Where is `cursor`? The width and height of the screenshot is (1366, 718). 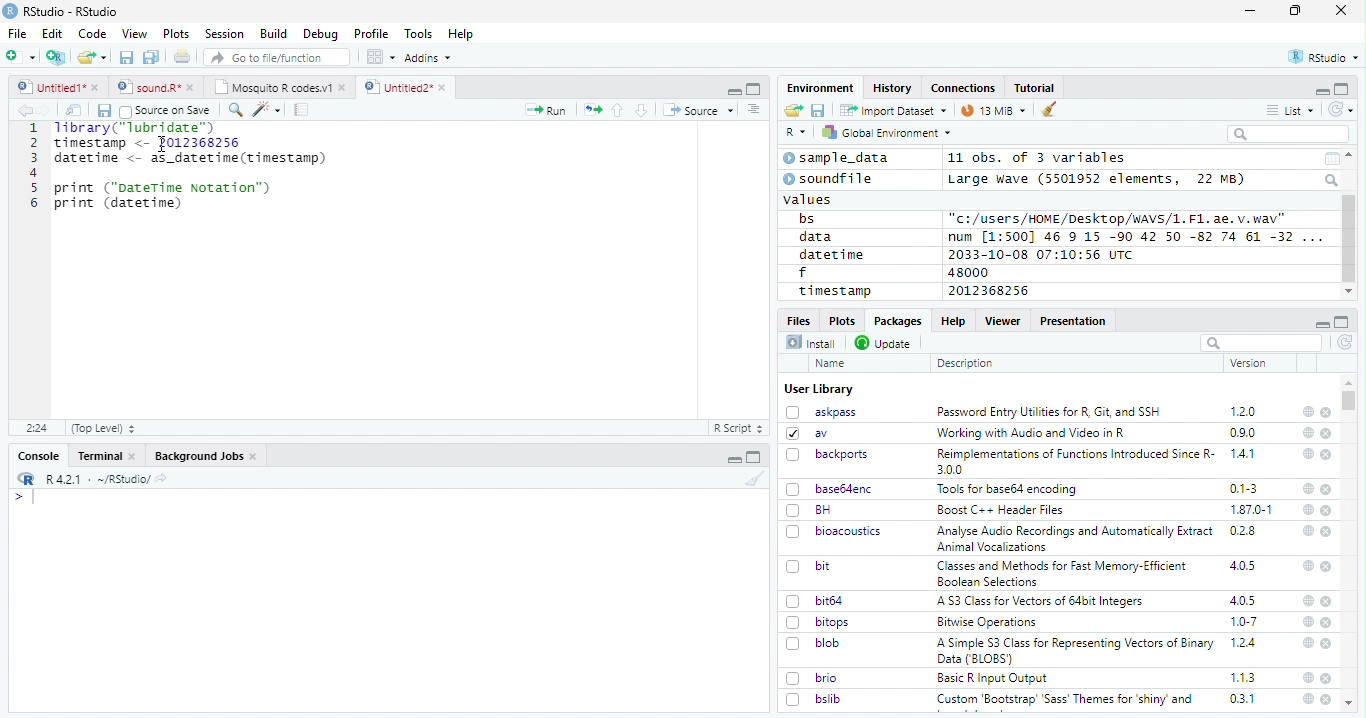
cursor is located at coordinates (166, 143).